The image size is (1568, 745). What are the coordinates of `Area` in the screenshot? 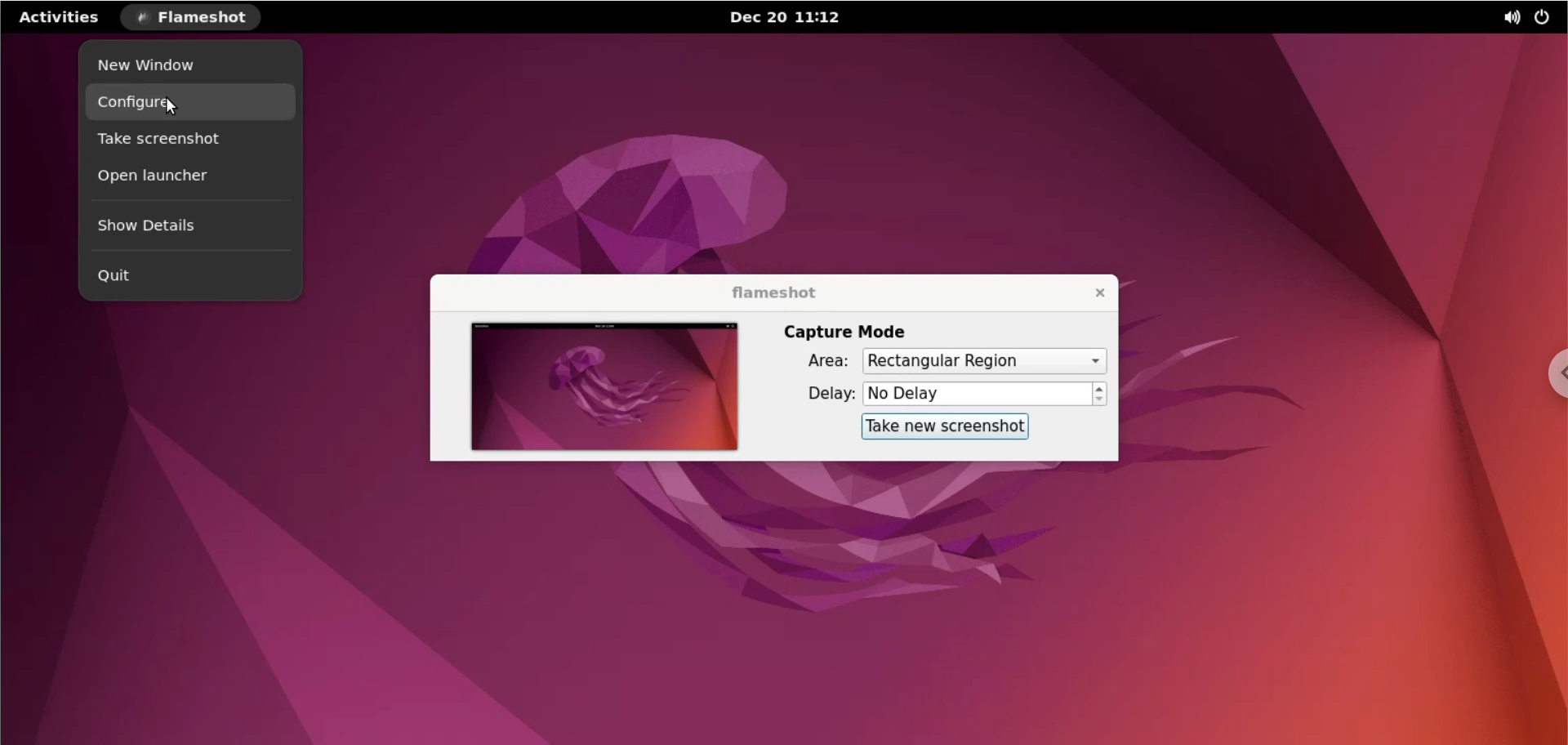 It's located at (817, 361).